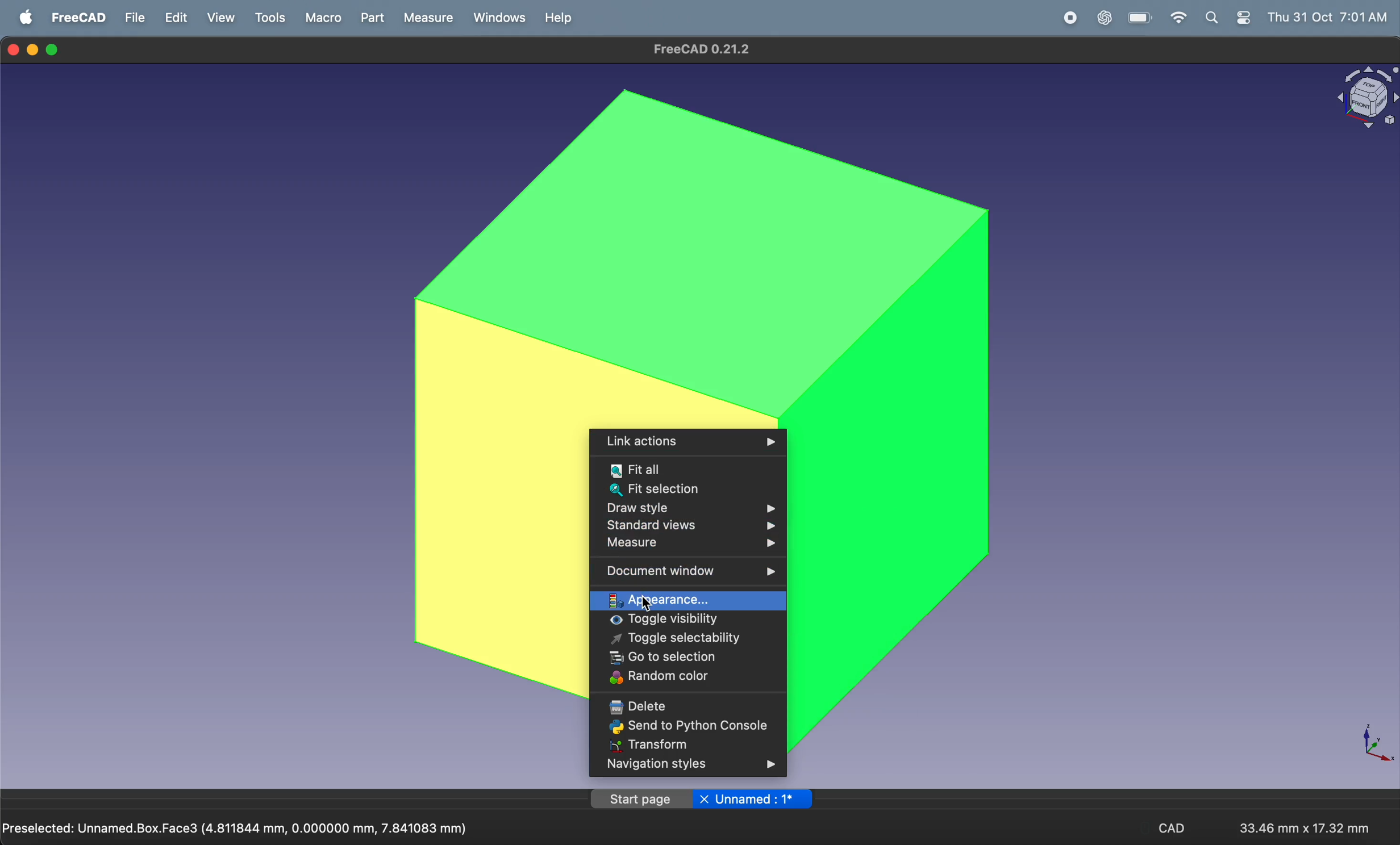 This screenshot has height=845, width=1400. What do you see at coordinates (690, 641) in the screenshot?
I see `toggle selectability` at bounding box center [690, 641].